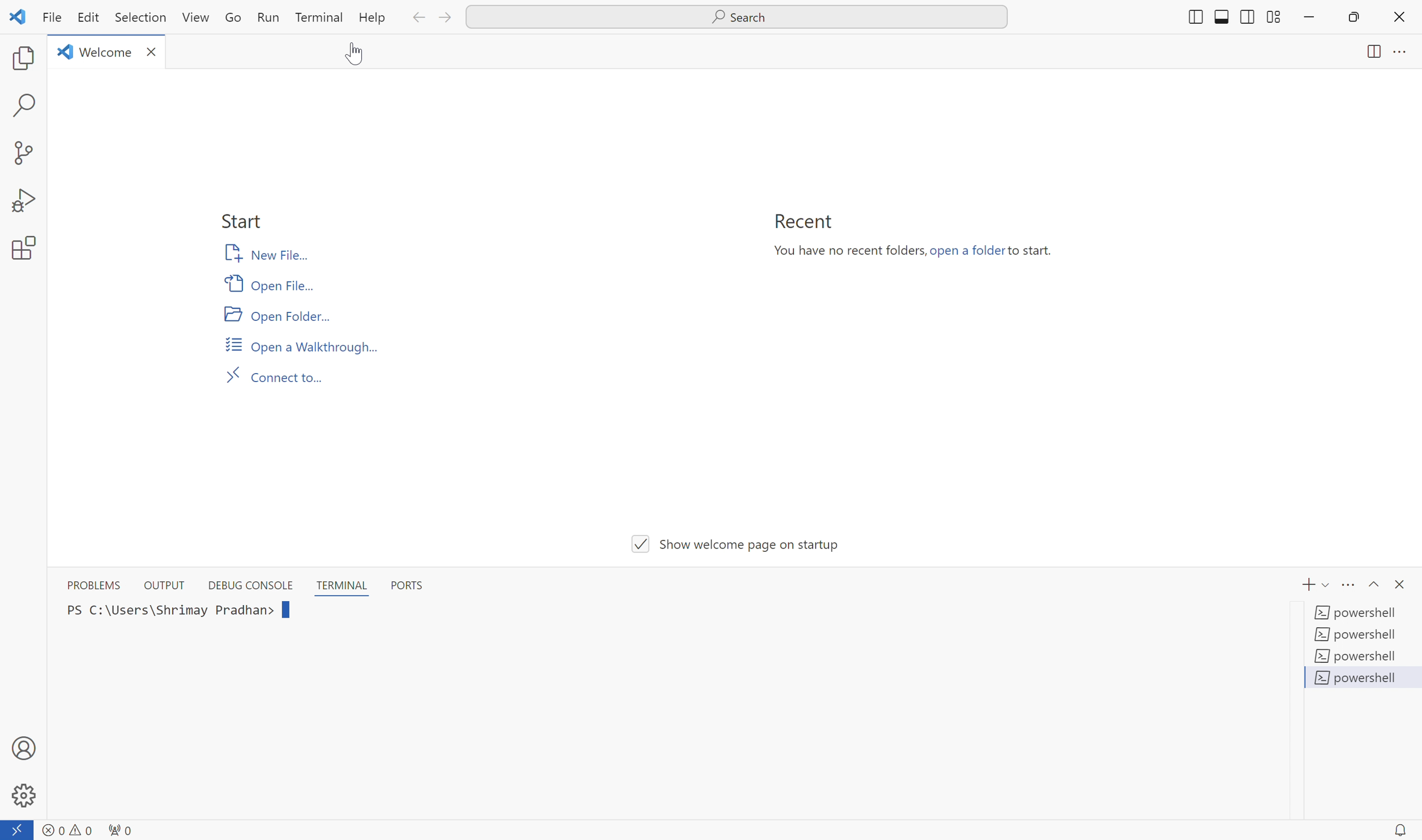  What do you see at coordinates (23, 796) in the screenshot?
I see `Settings` at bounding box center [23, 796].